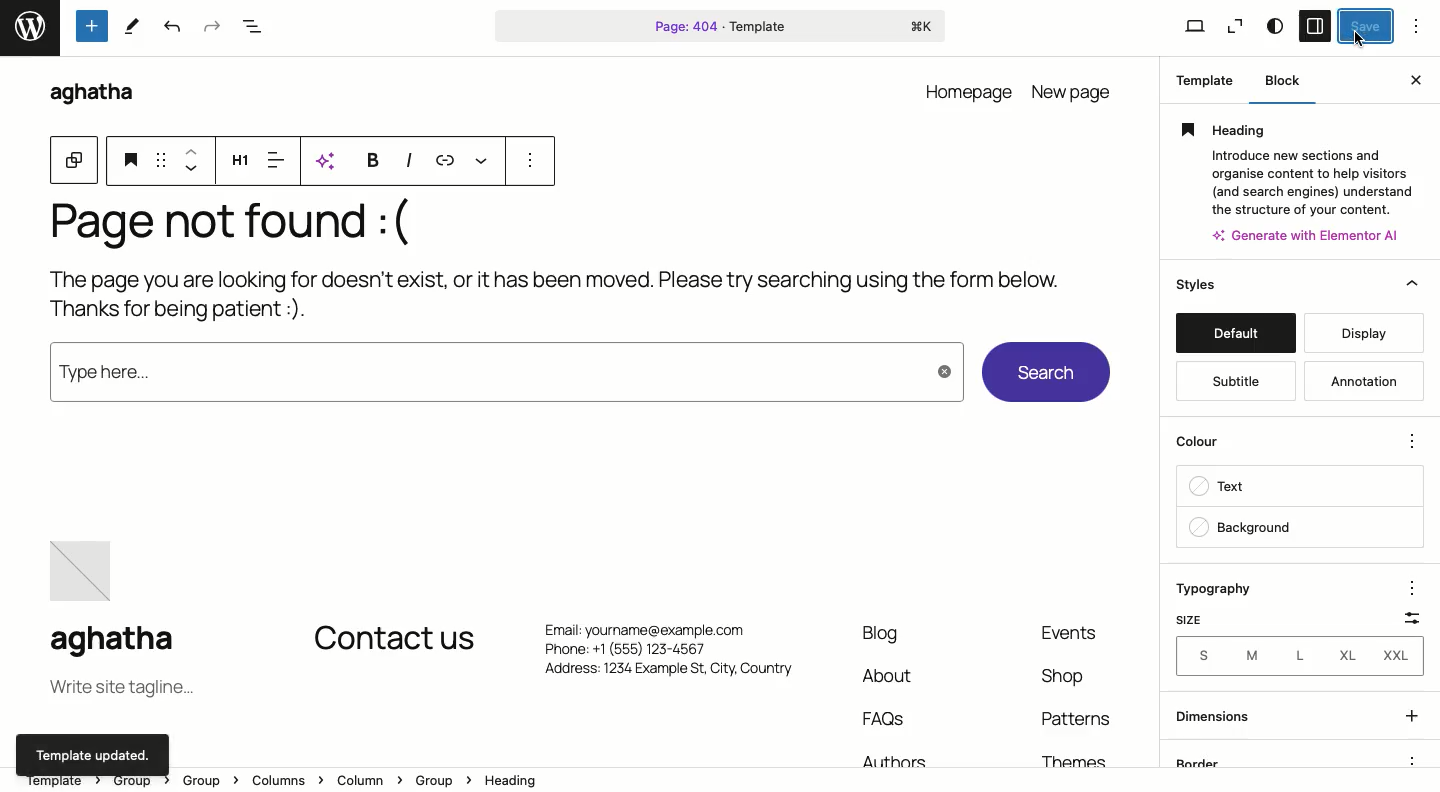 This screenshot has height=792, width=1440. I want to click on homepage, so click(970, 90).